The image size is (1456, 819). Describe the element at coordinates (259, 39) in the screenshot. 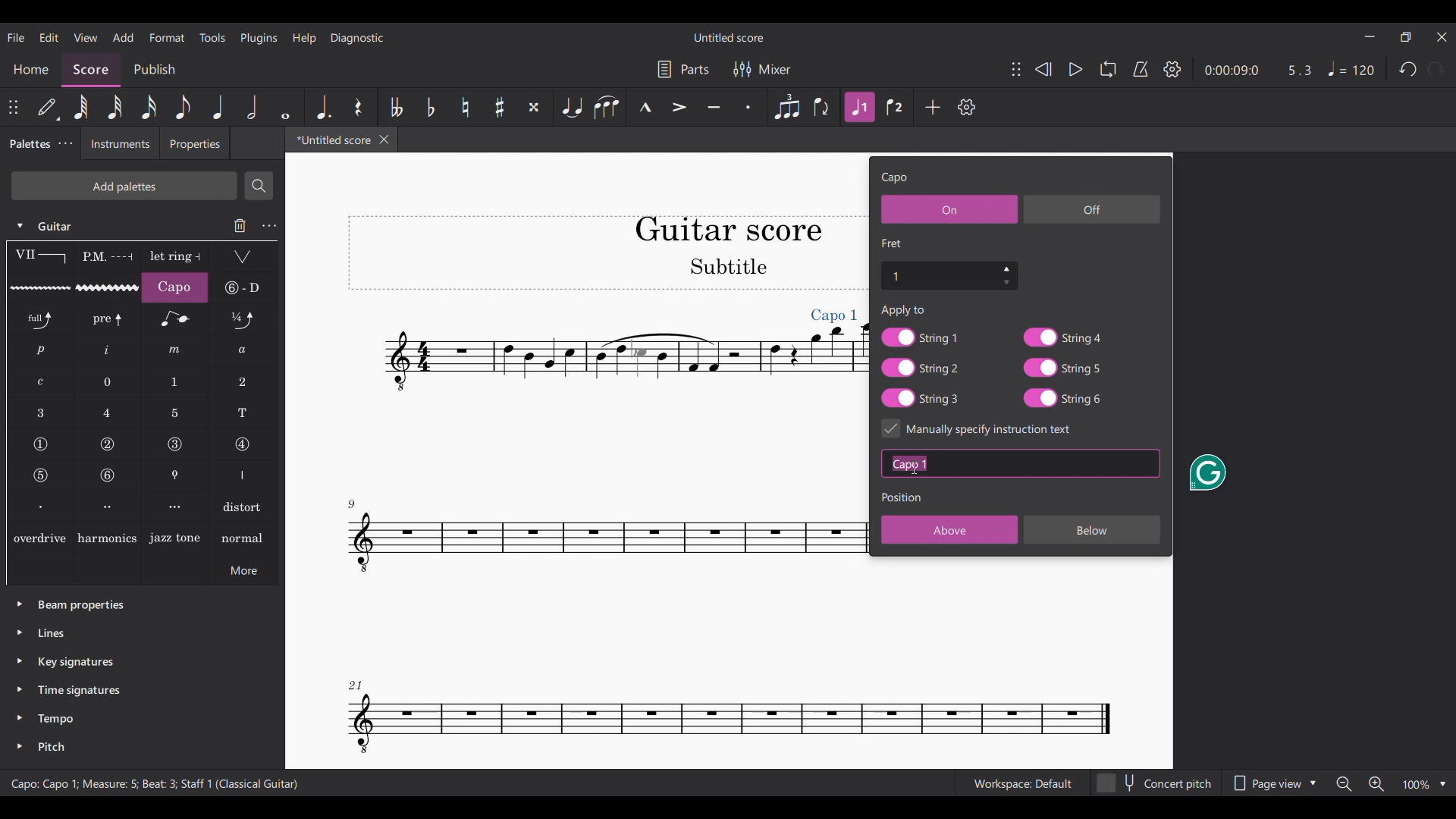

I see `Plugins menu` at that location.